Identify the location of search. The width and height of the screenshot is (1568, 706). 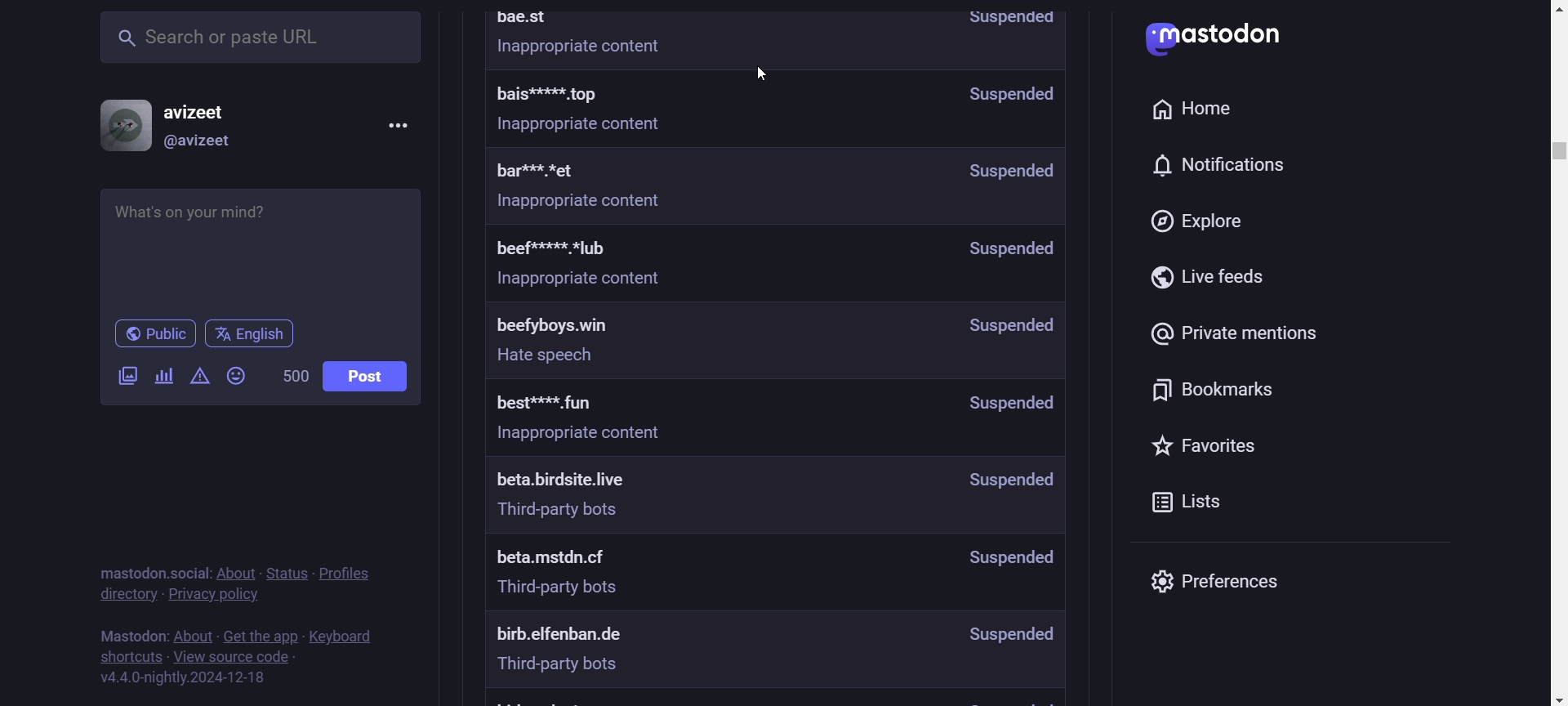
(261, 40).